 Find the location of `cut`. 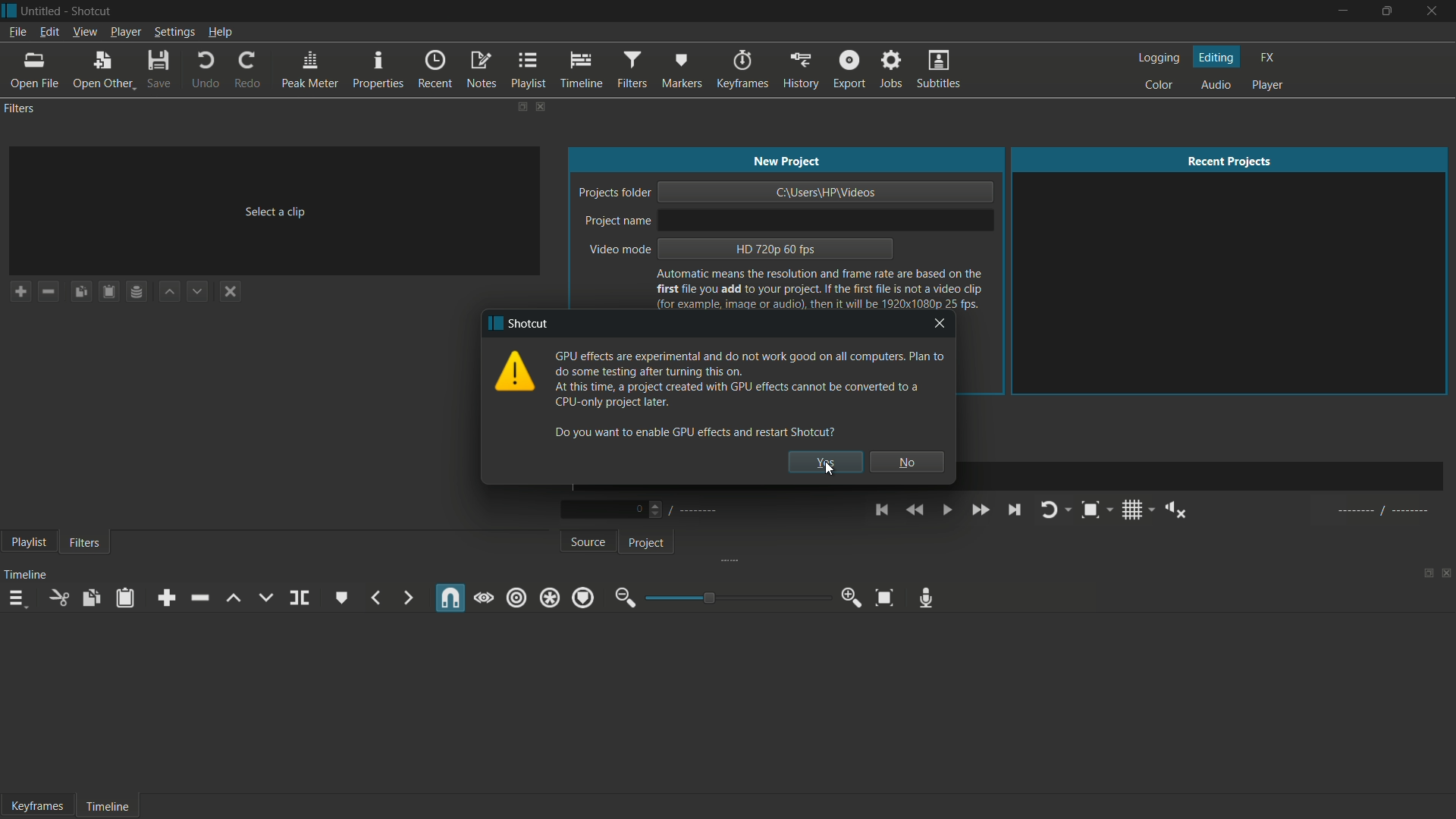

cut is located at coordinates (58, 600).